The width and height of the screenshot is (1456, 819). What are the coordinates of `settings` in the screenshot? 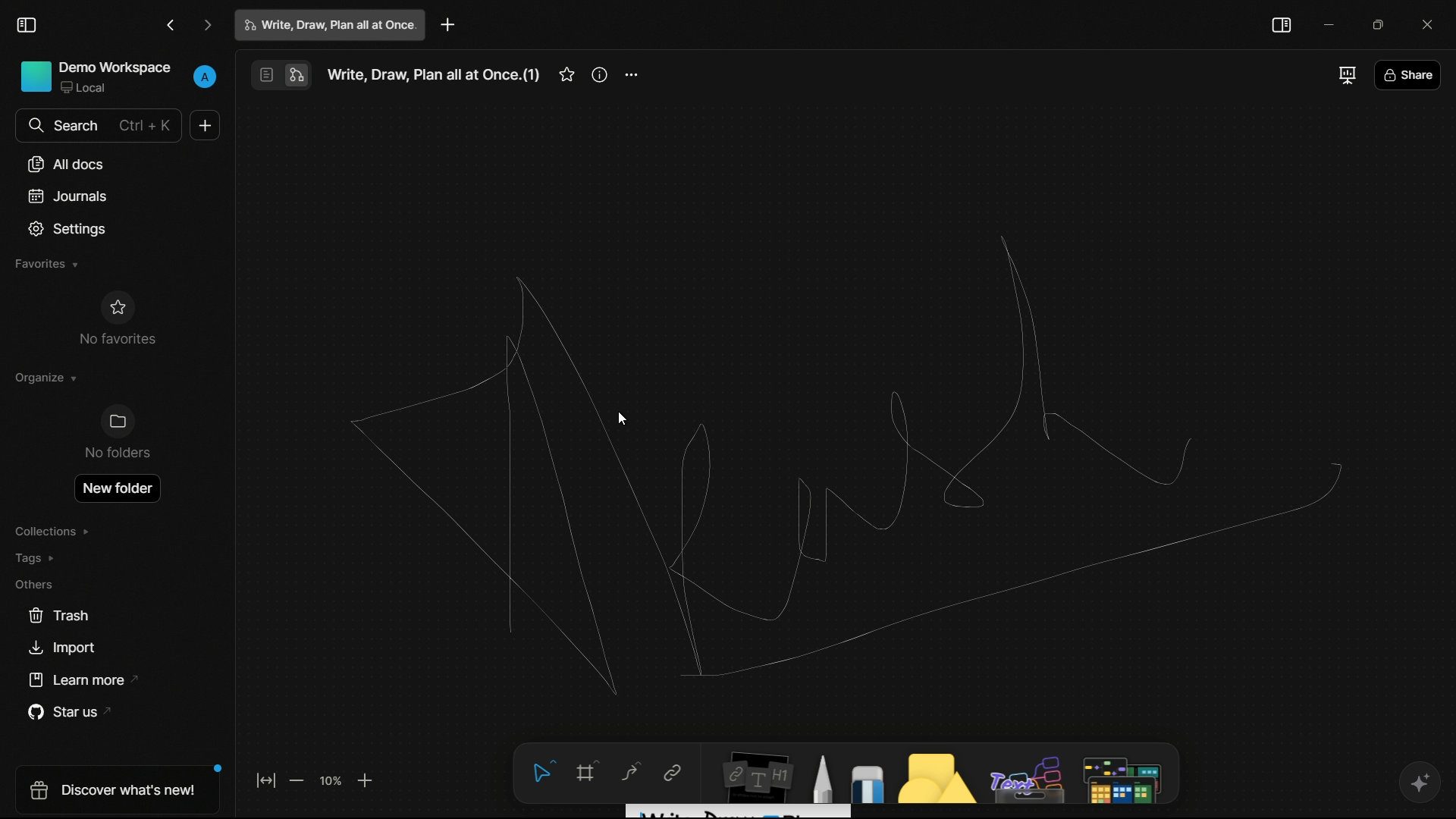 It's located at (67, 229).